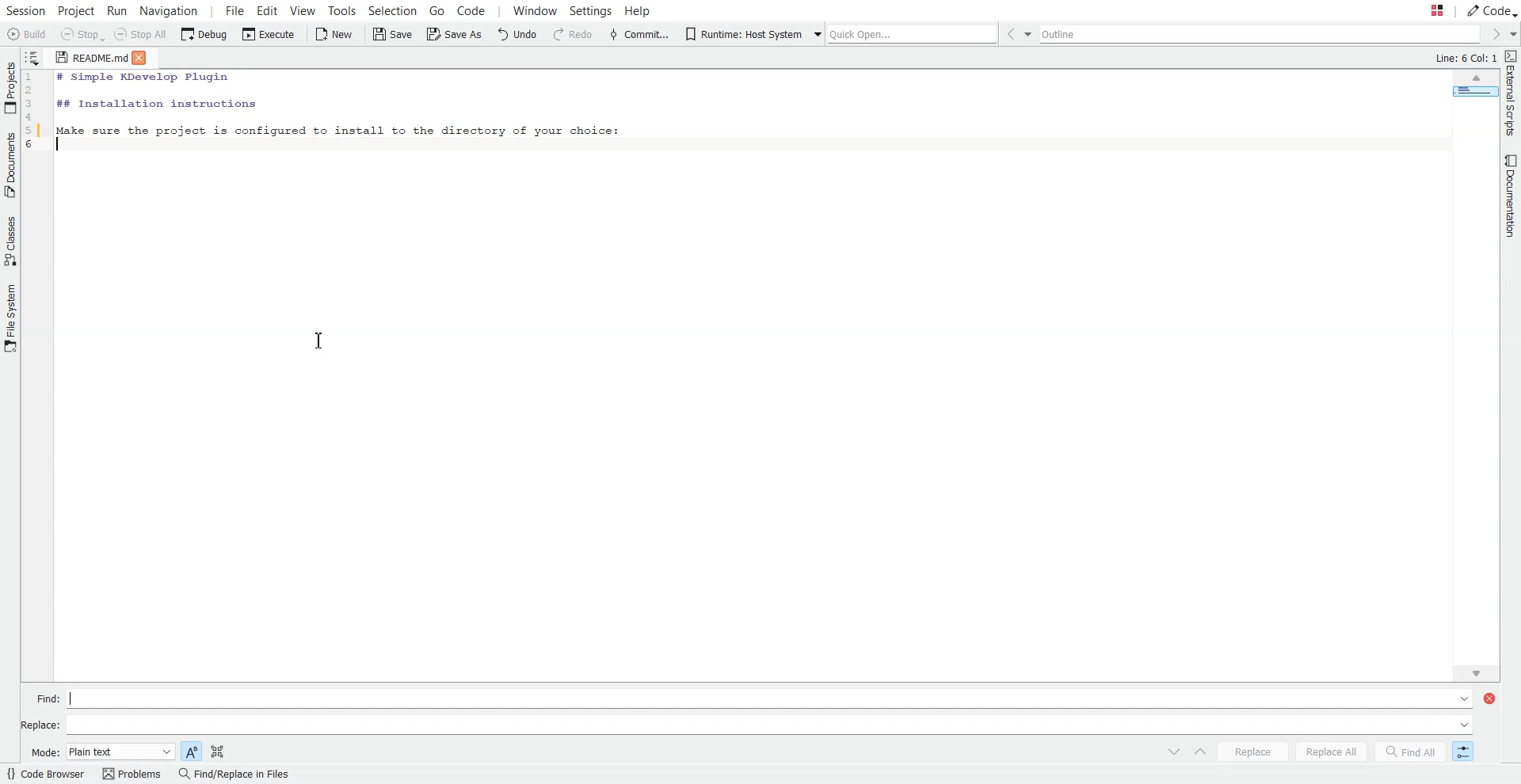 The image size is (1521, 784). I want to click on Stop All, so click(143, 36).